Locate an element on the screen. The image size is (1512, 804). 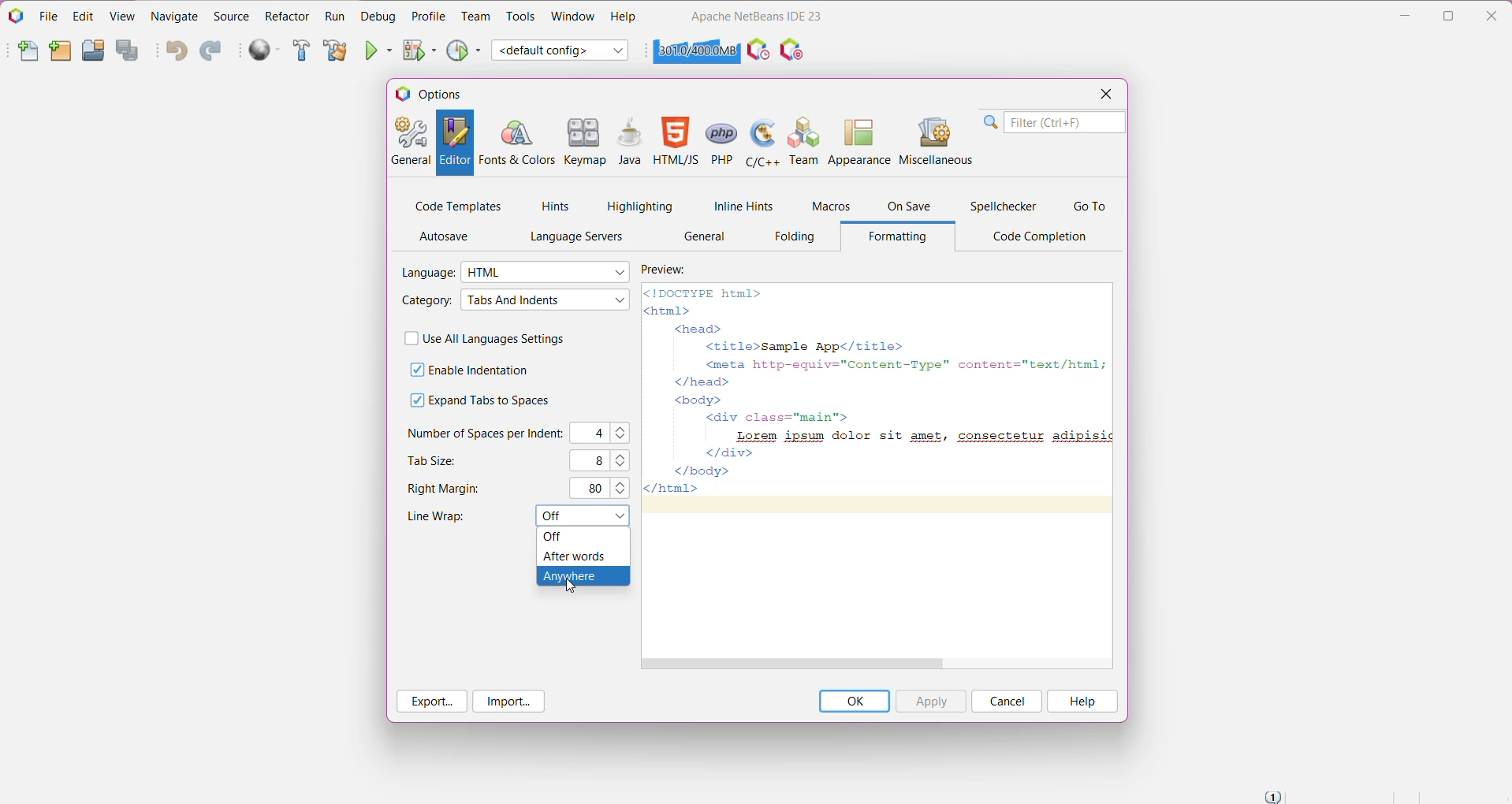
off is located at coordinates (584, 535).